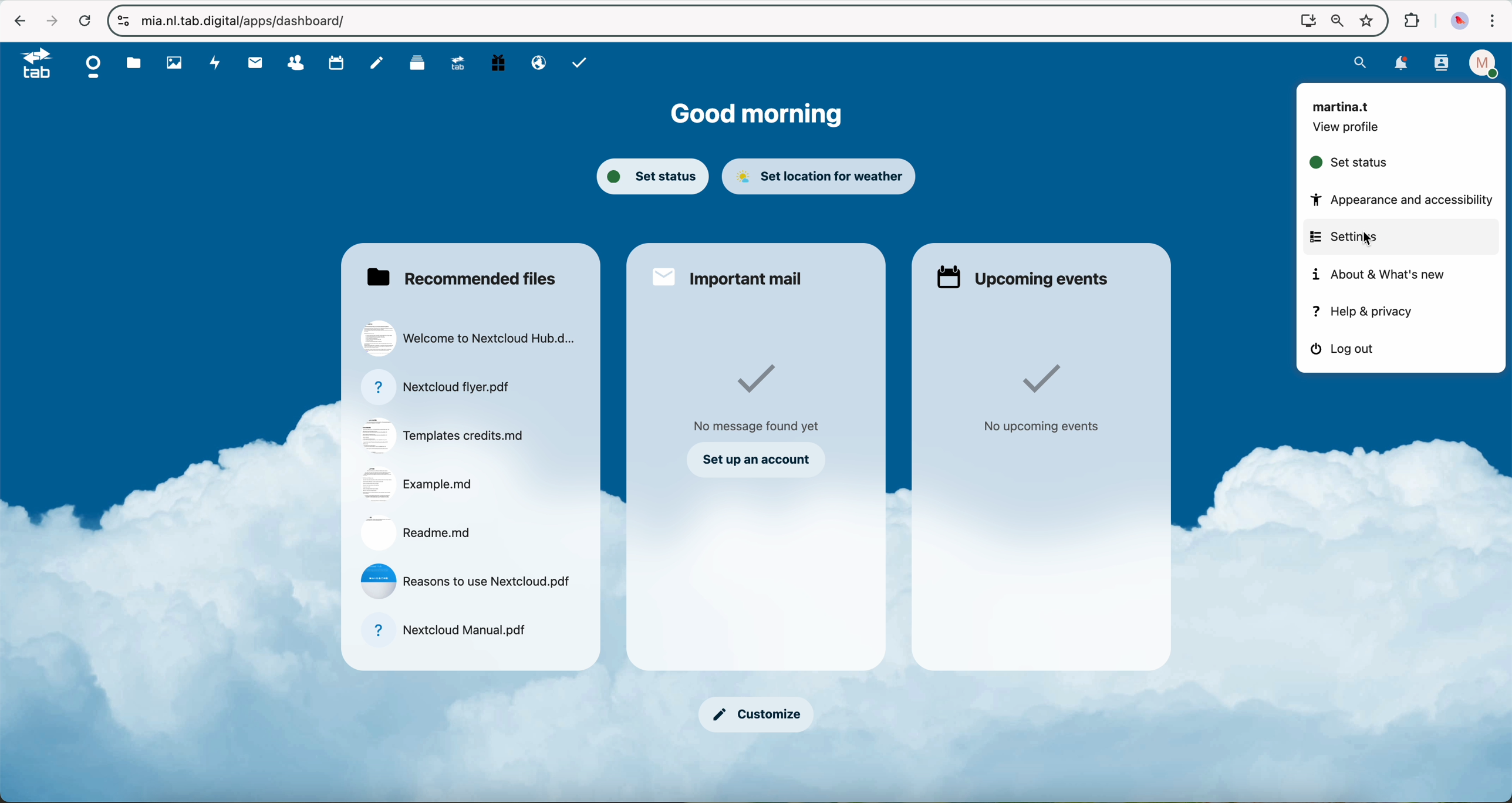 The width and height of the screenshot is (1512, 803). What do you see at coordinates (1348, 131) in the screenshot?
I see `view profile` at bounding box center [1348, 131].